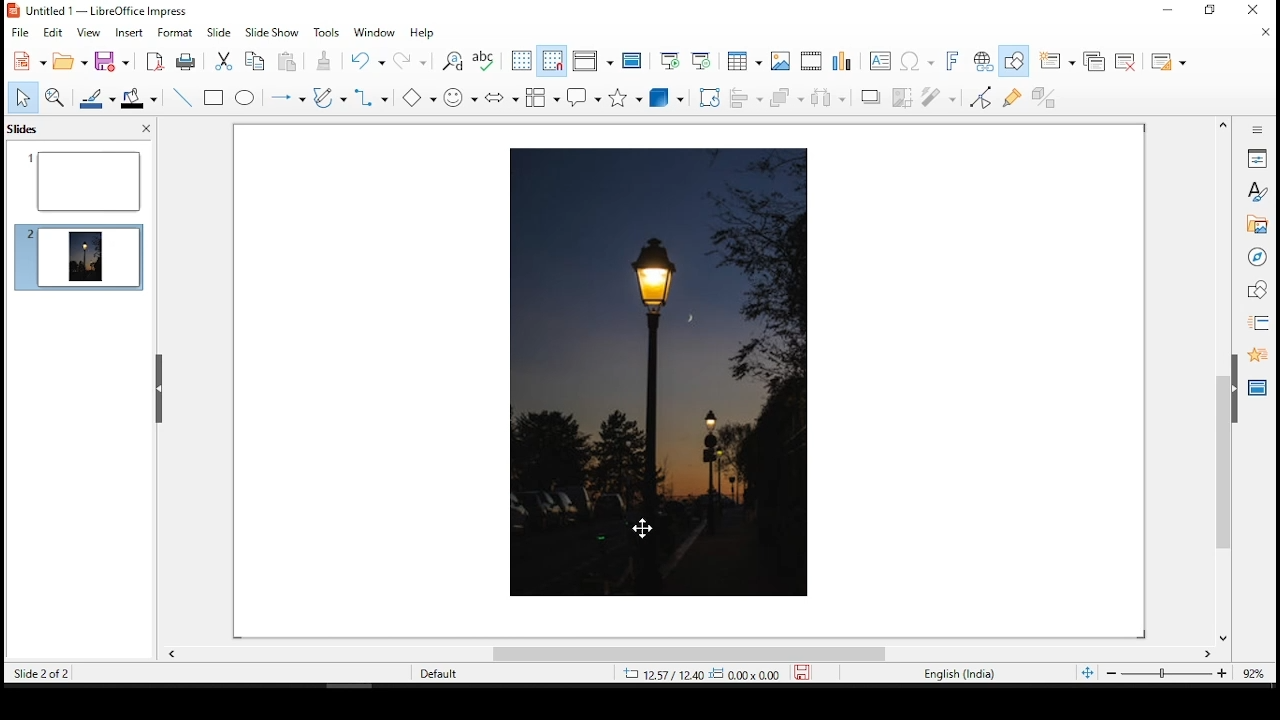 The image size is (1280, 720). What do you see at coordinates (85, 254) in the screenshot?
I see `slide 2` at bounding box center [85, 254].